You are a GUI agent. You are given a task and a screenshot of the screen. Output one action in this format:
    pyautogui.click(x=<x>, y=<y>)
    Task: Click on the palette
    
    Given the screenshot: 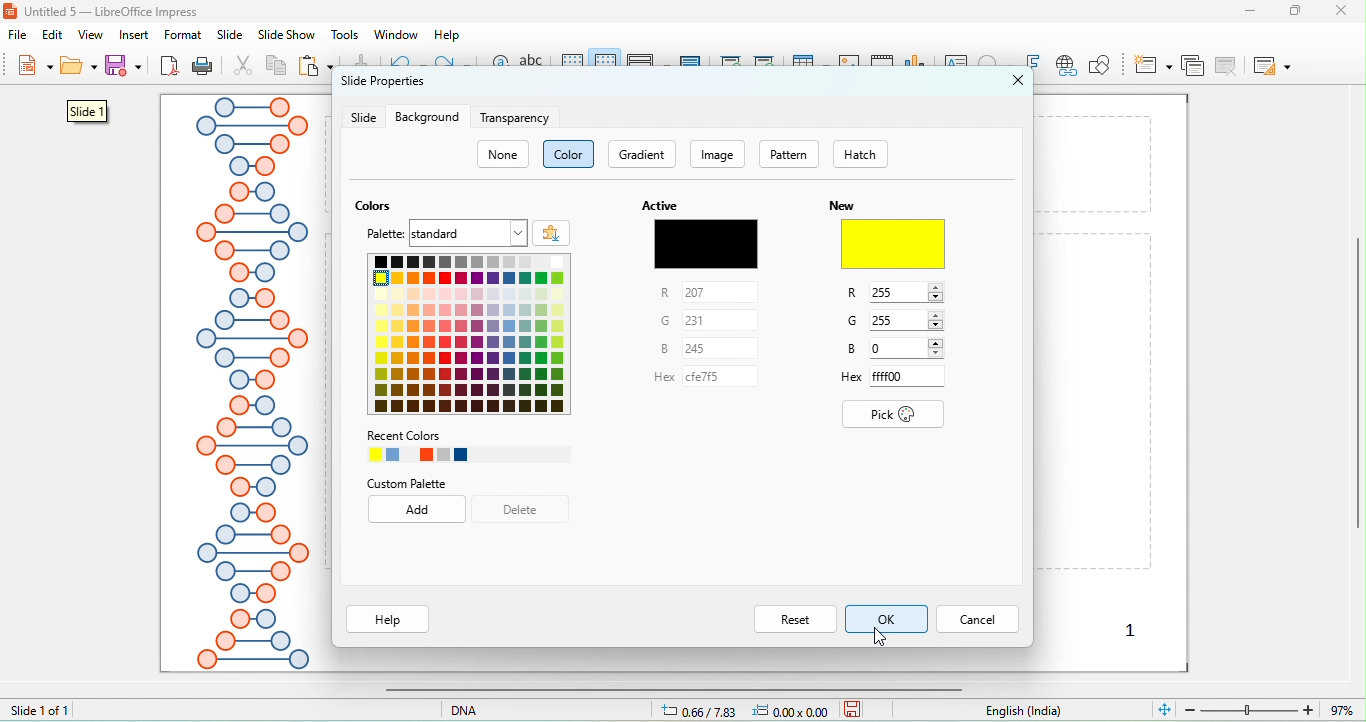 What is the action you would take?
    pyautogui.click(x=387, y=235)
    